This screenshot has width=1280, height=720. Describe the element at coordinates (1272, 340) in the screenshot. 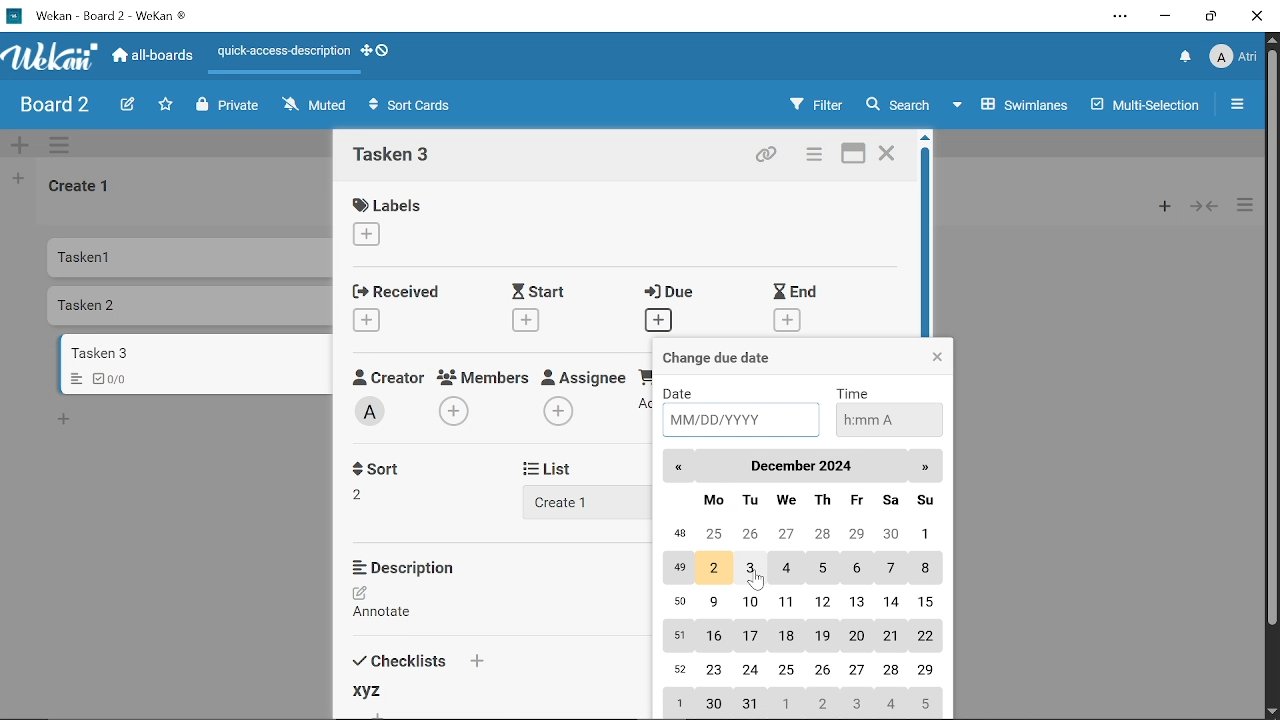

I see `Vertical scrollbar` at that location.